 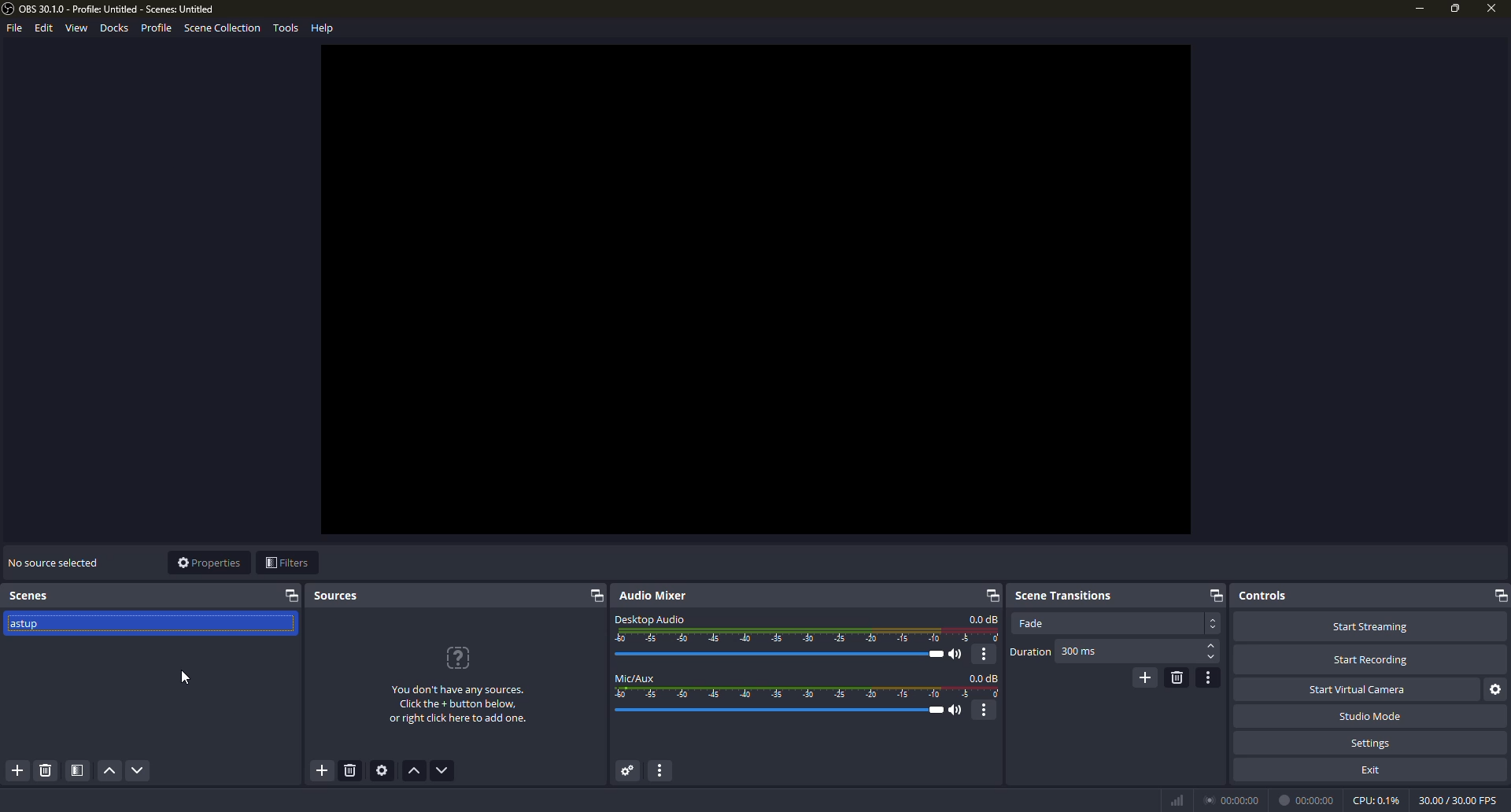 I want to click on properties, so click(x=209, y=563).